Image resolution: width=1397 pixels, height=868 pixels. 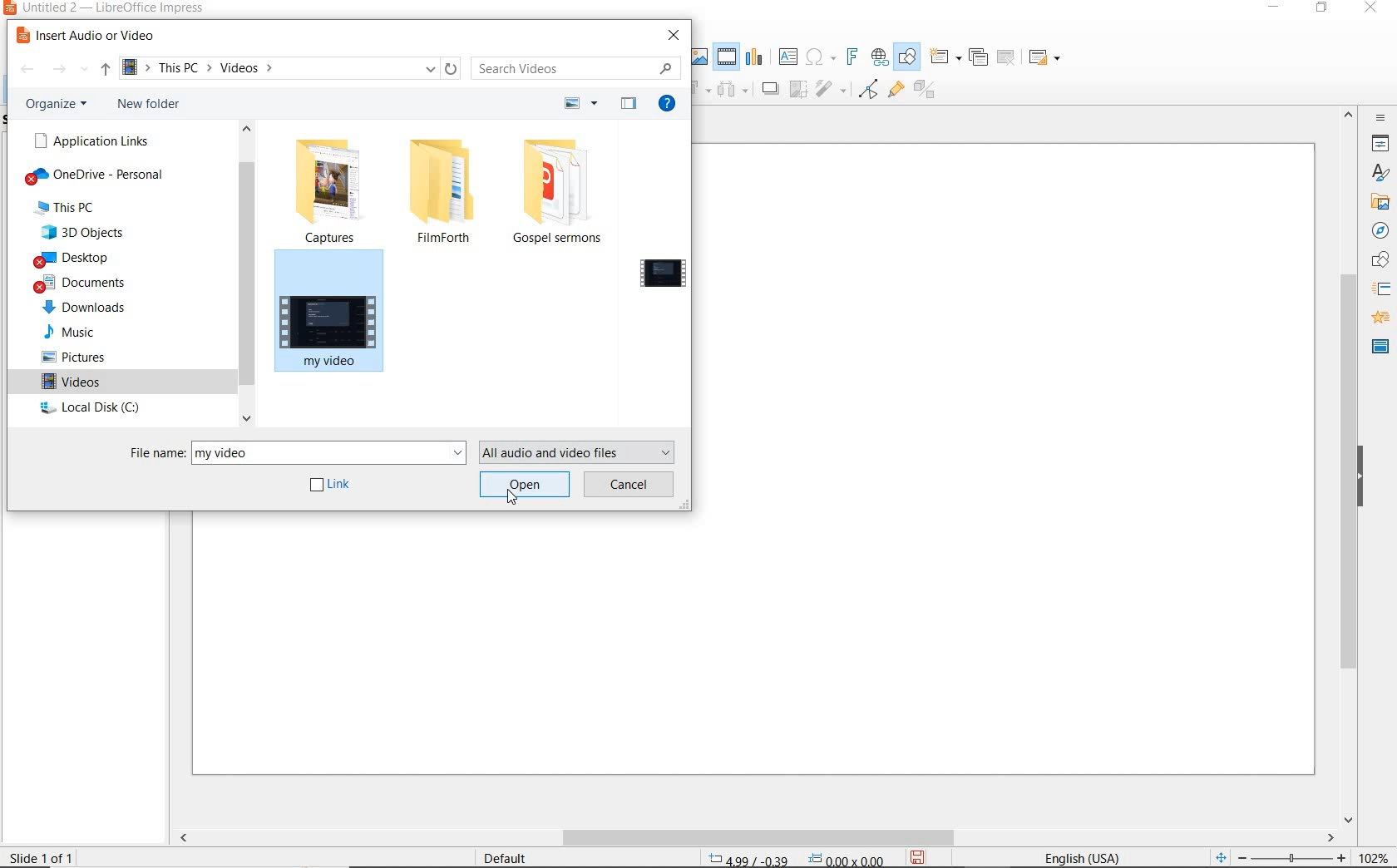 What do you see at coordinates (880, 58) in the screenshot?
I see `INSERT HYPERLINK` at bounding box center [880, 58].